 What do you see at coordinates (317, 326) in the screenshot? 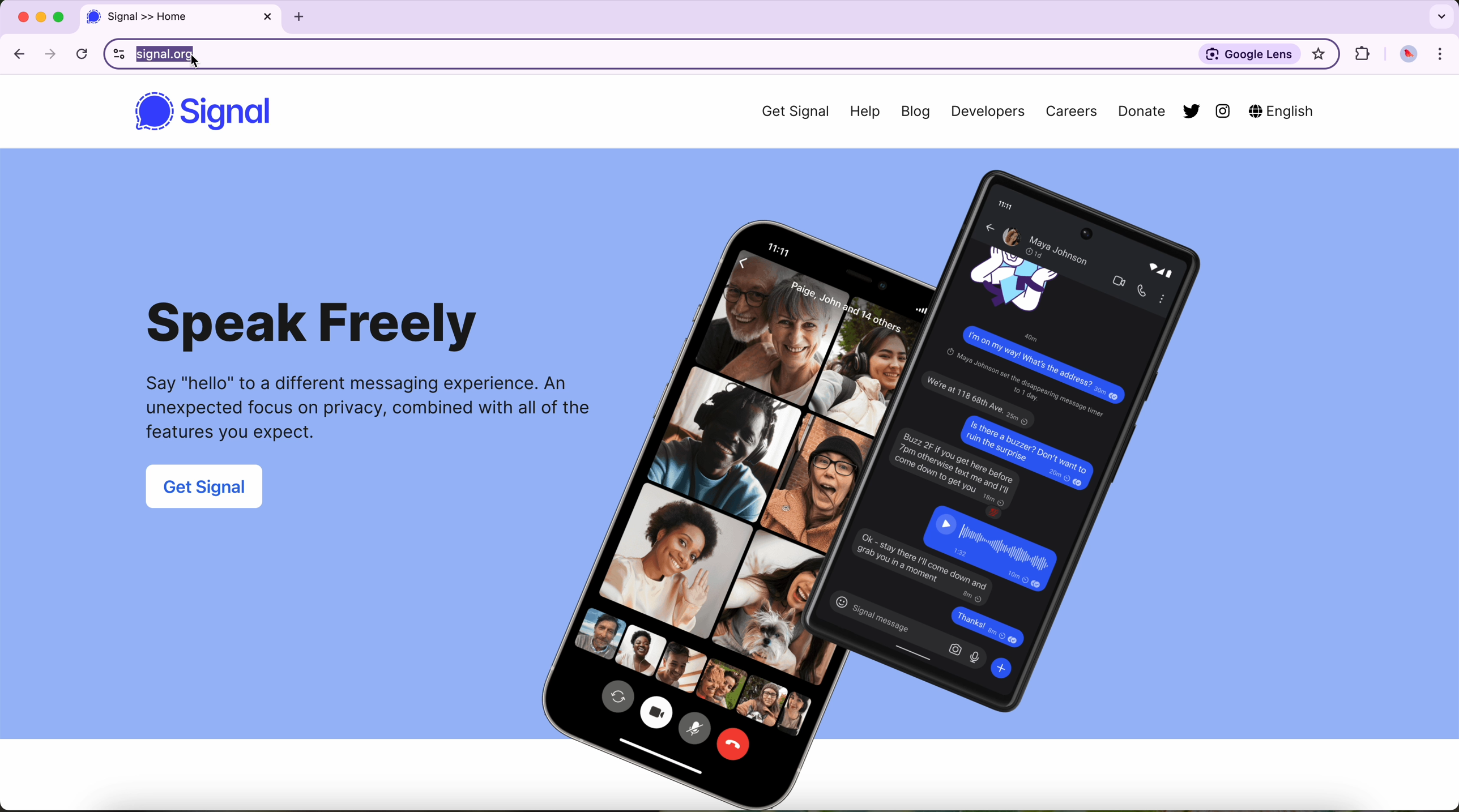
I see `Speak Freely` at bounding box center [317, 326].